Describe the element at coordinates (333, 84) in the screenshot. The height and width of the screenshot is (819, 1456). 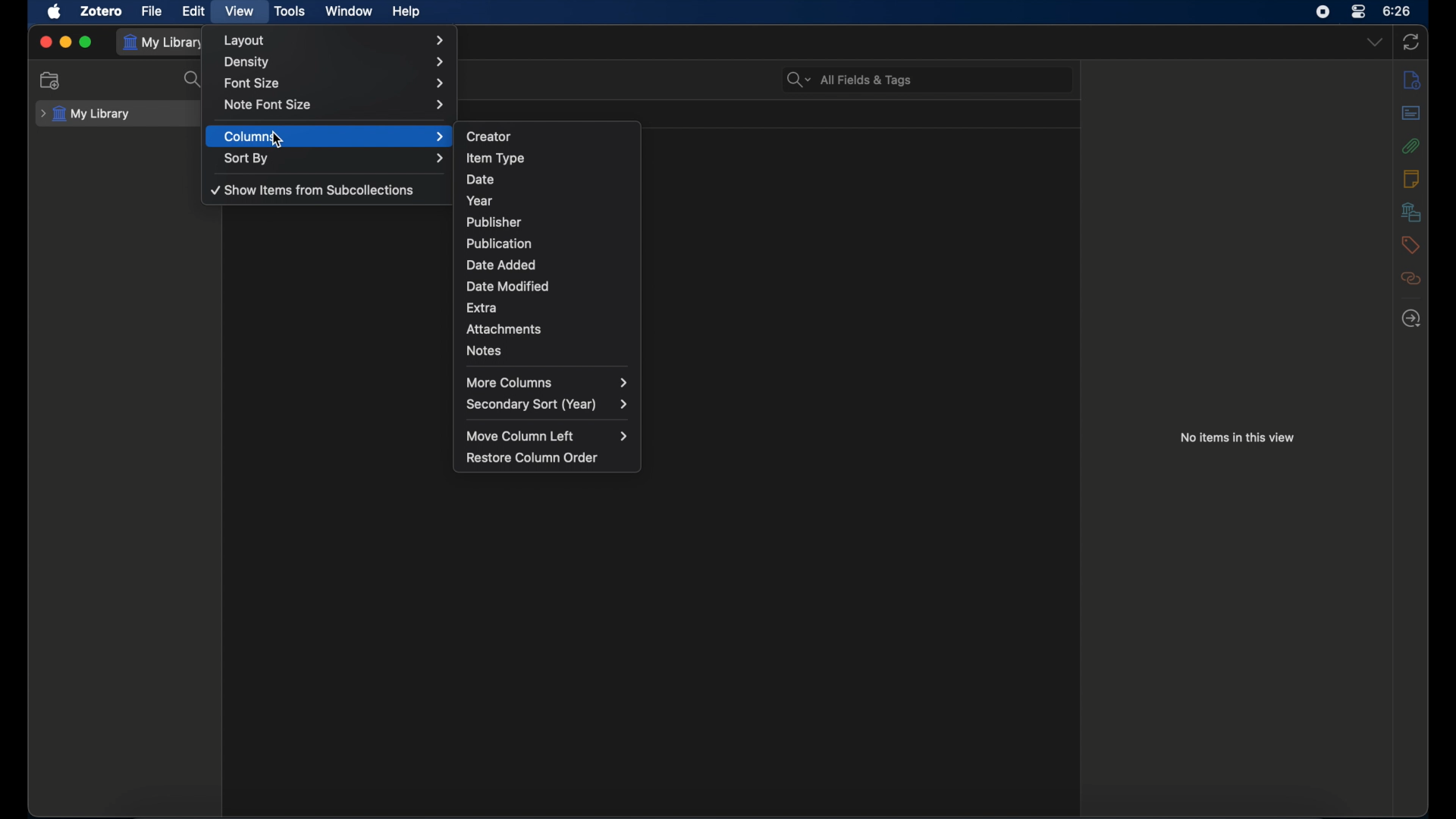
I see `font size` at that location.